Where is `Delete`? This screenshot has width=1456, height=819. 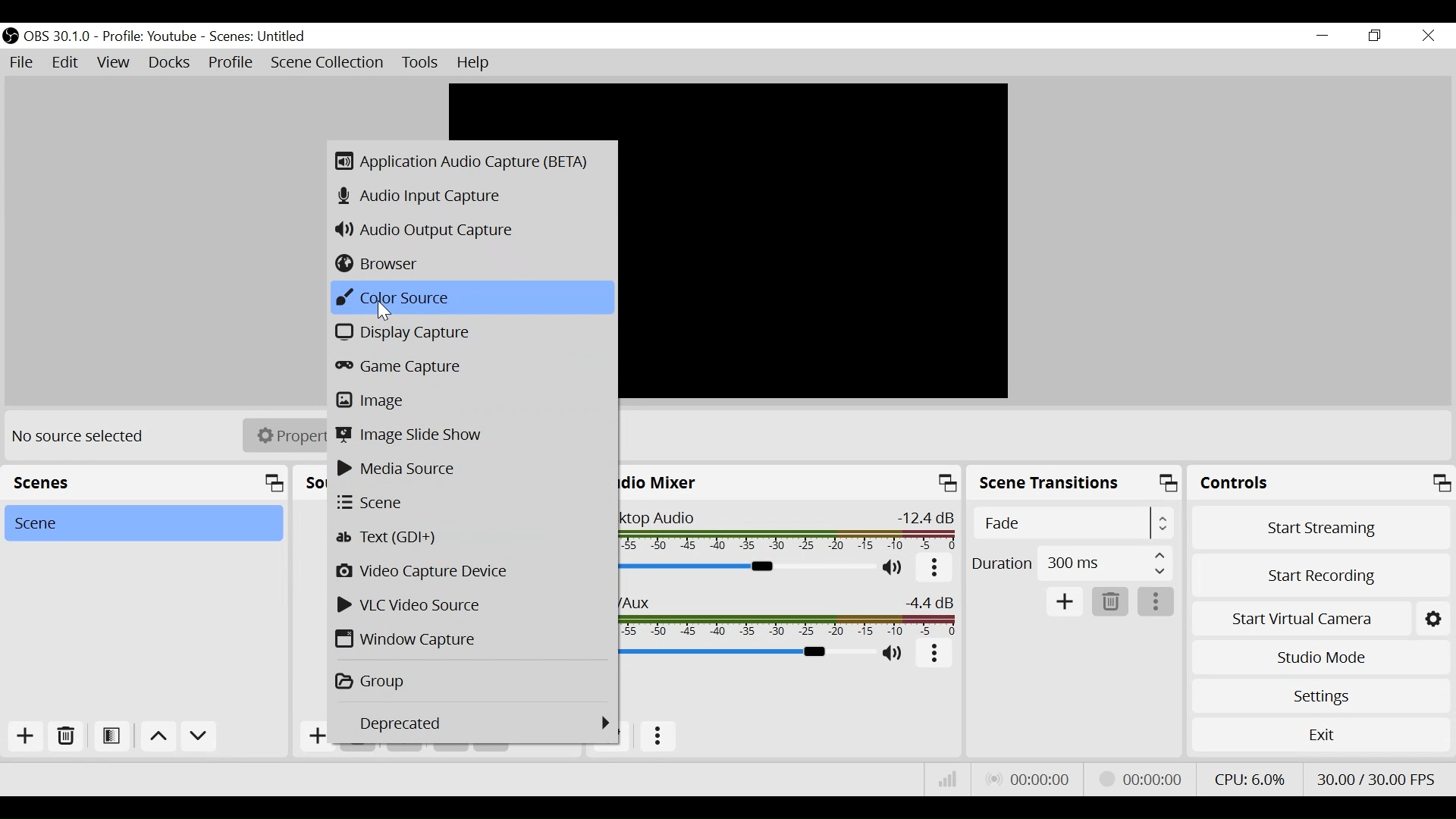 Delete is located at coordinates (1108, 602).